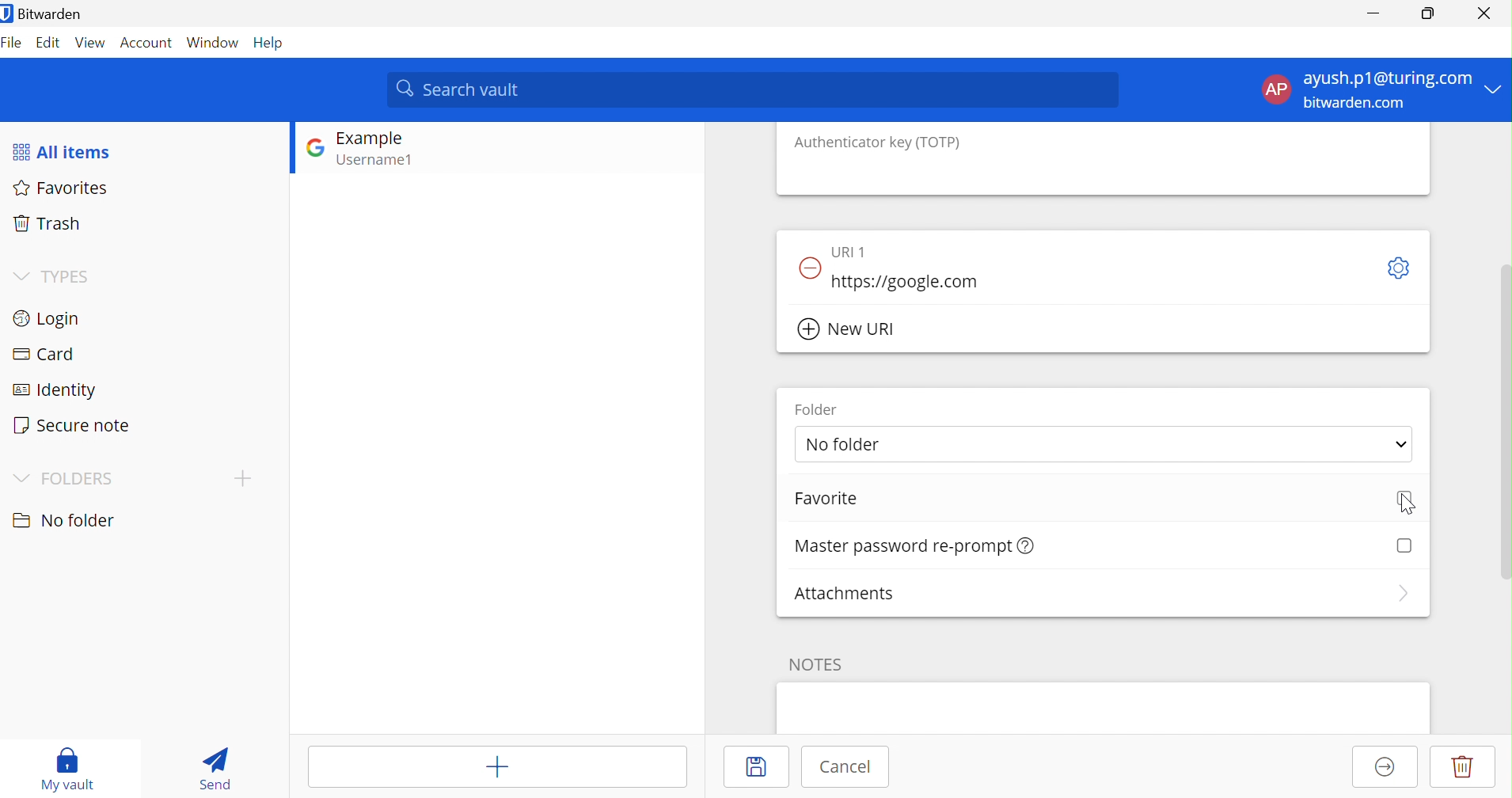 The image size is (1512, 798). Describe the element at coordinates (1463, 768) in the screenshot. I see `Delete` at that location.